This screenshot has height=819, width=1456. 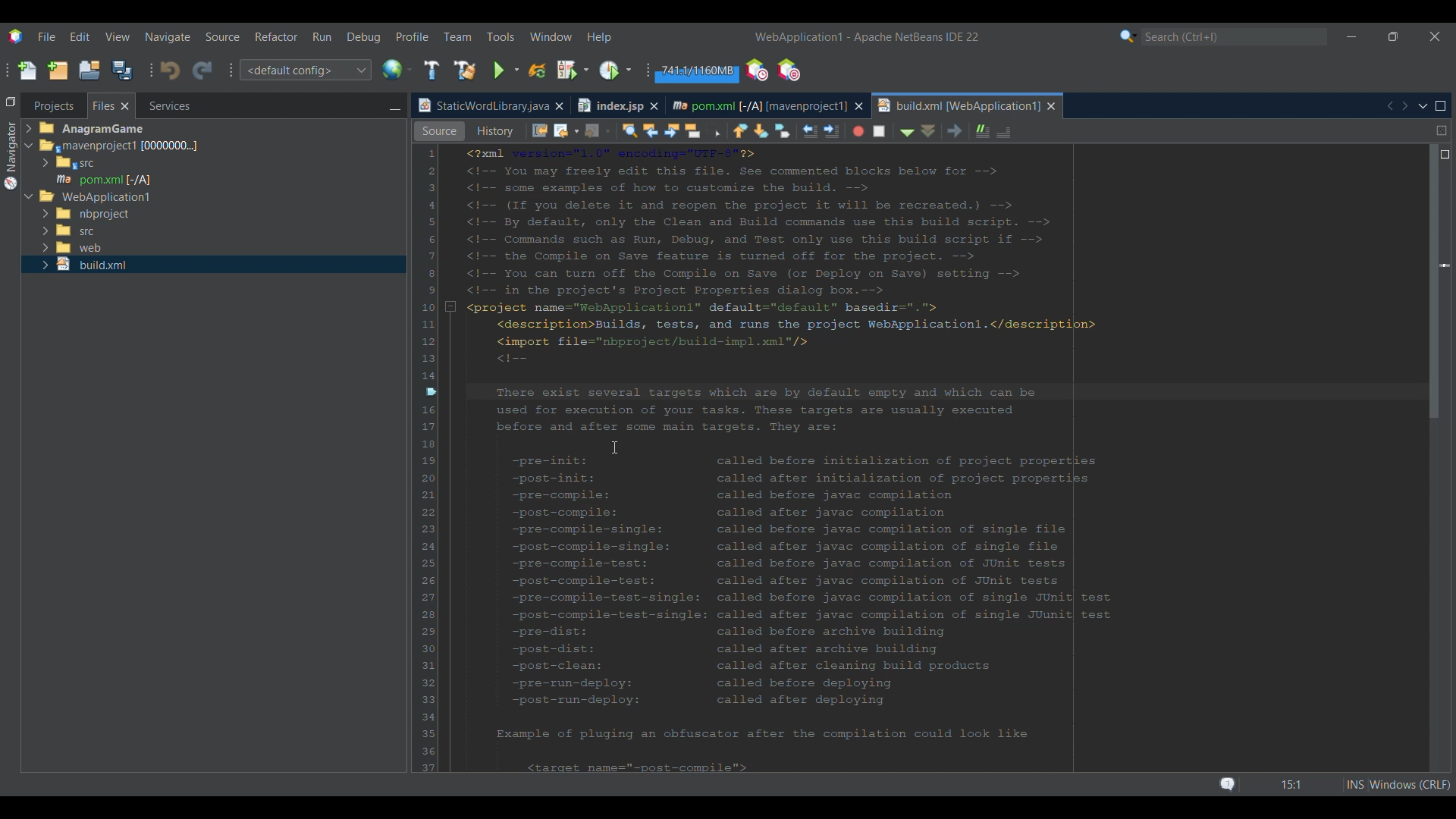 I want to click on Configuration options, so click(x=305, y=70).